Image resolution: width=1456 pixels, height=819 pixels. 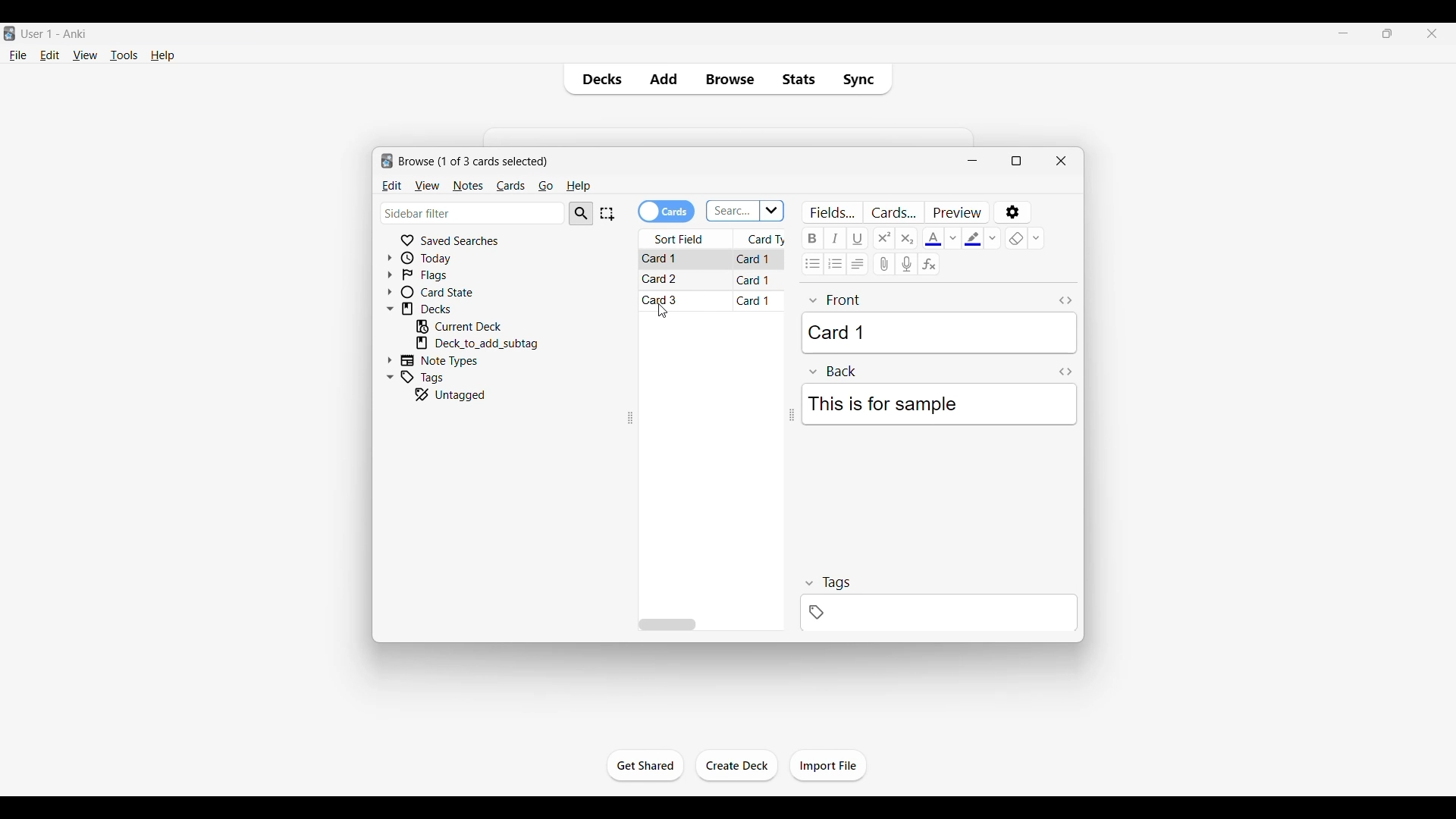 What do you see at coordinates (835, 238) in the screenshot?
I see `Italic text` at bounding box center [835, 238].